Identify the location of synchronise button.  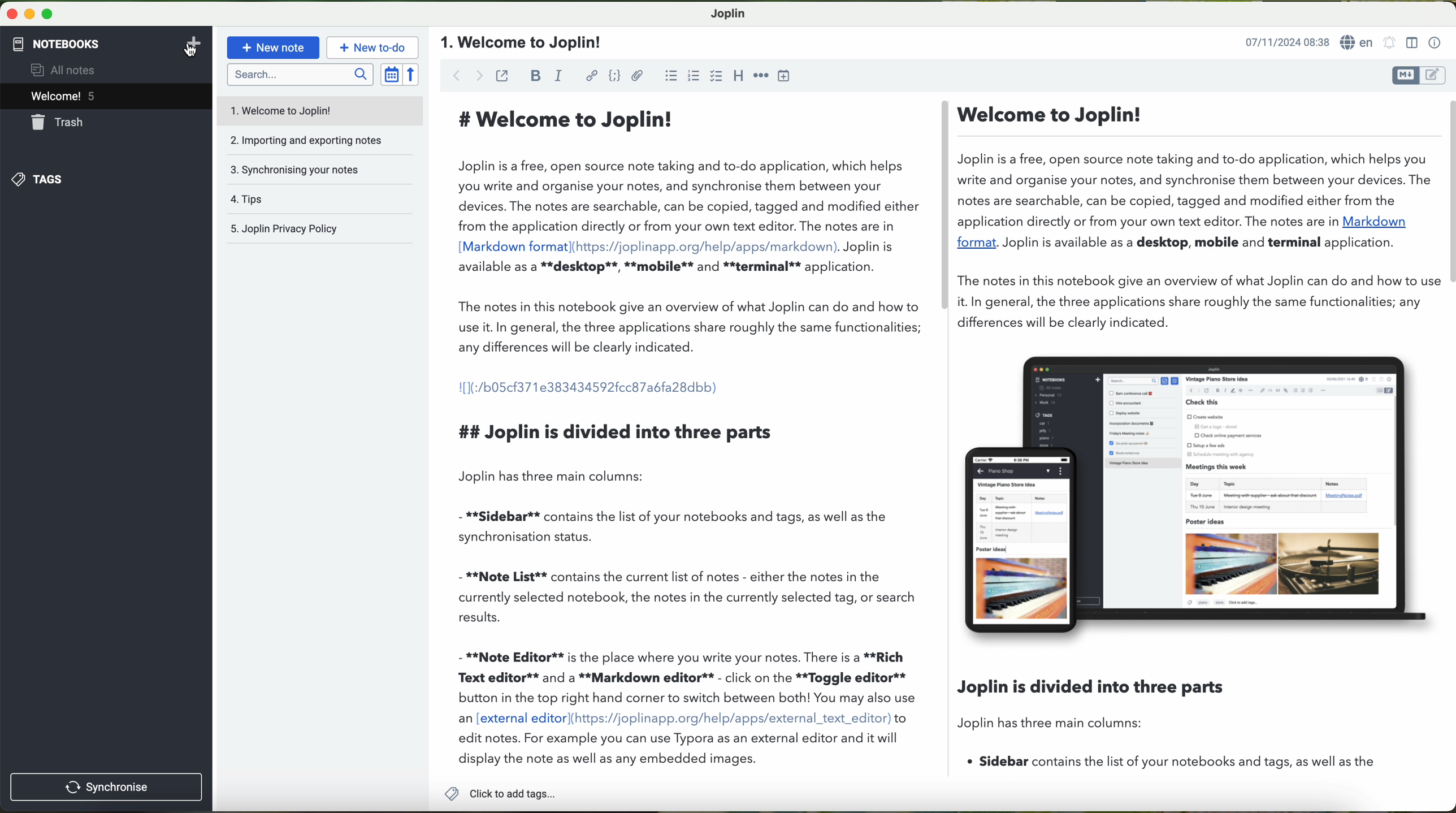
(106, 788).